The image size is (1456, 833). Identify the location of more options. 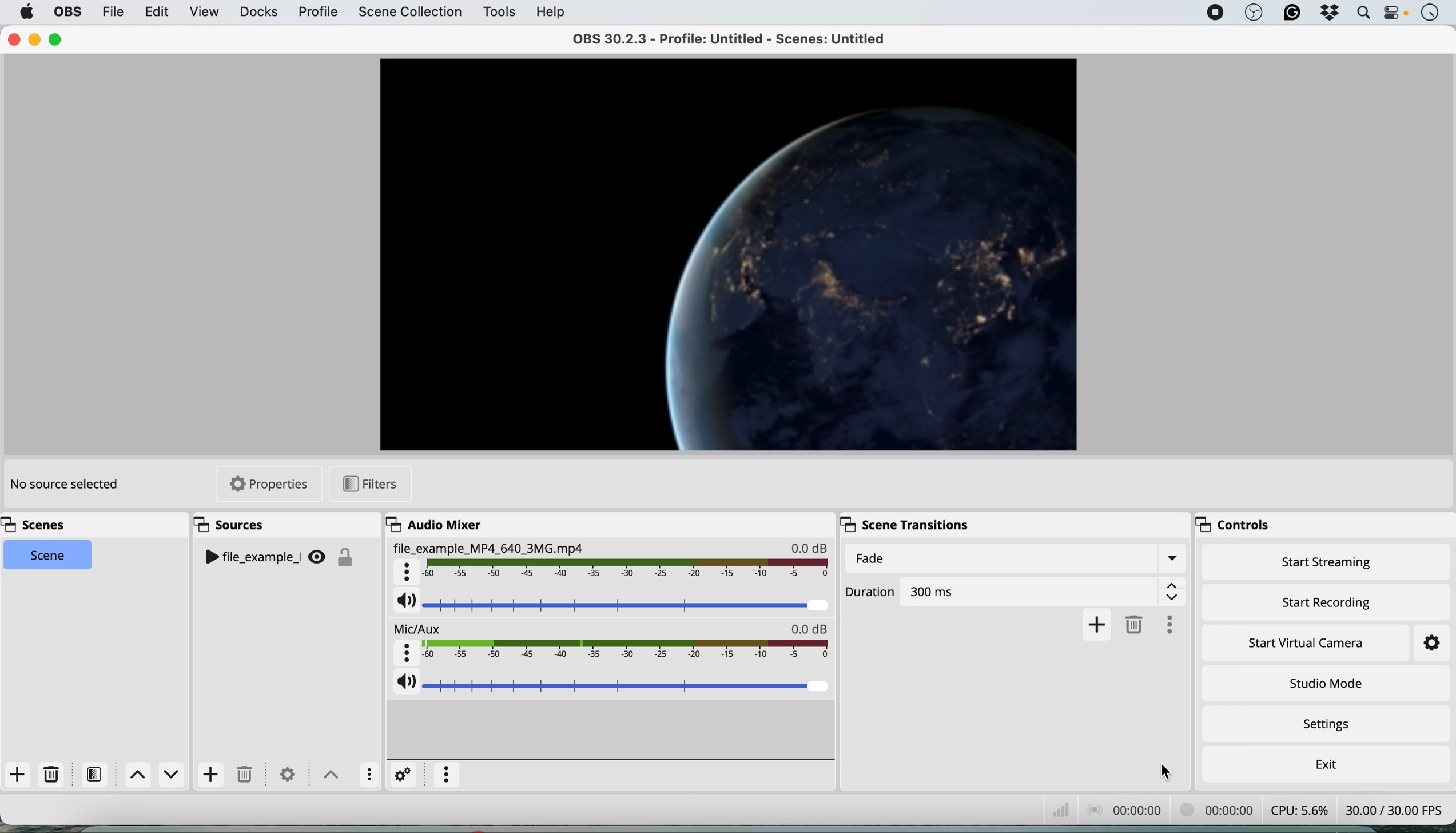
(366, 773).